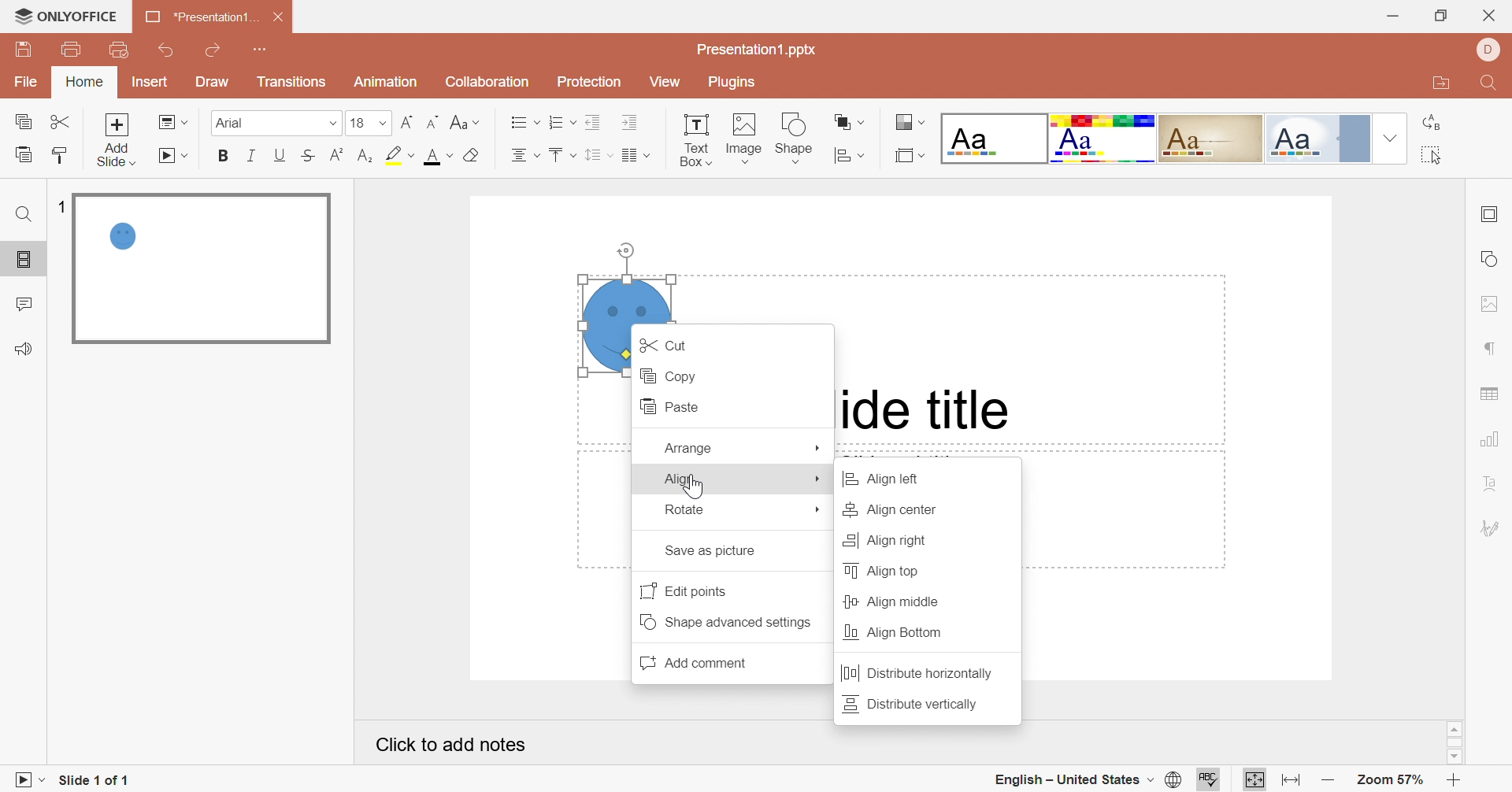  I want to click on Rotate, so click(687, 508).